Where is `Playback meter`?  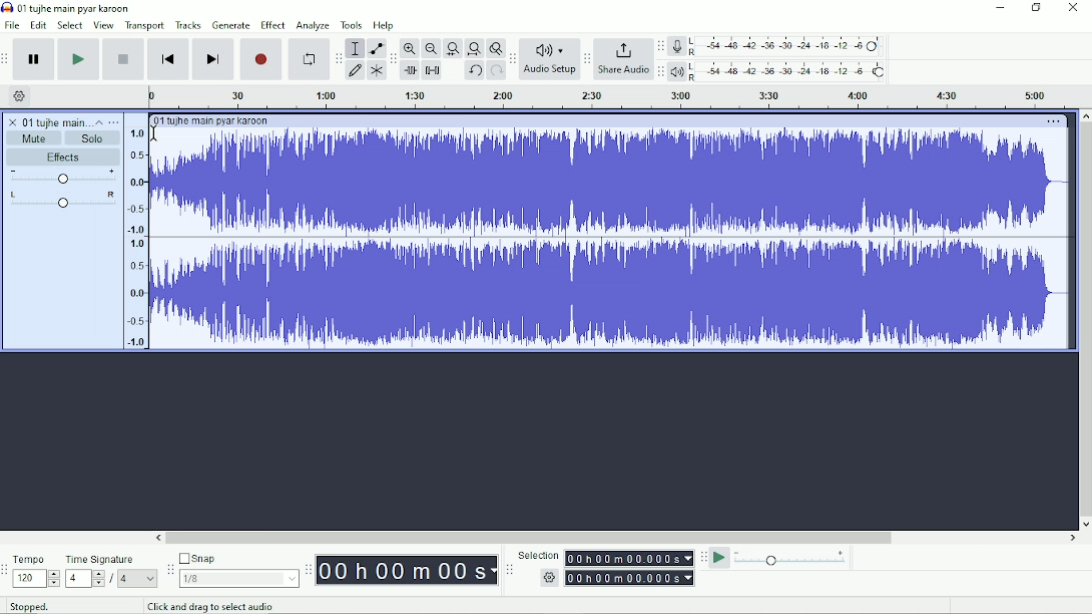 Playback meter is located at coordinates (778, 71).